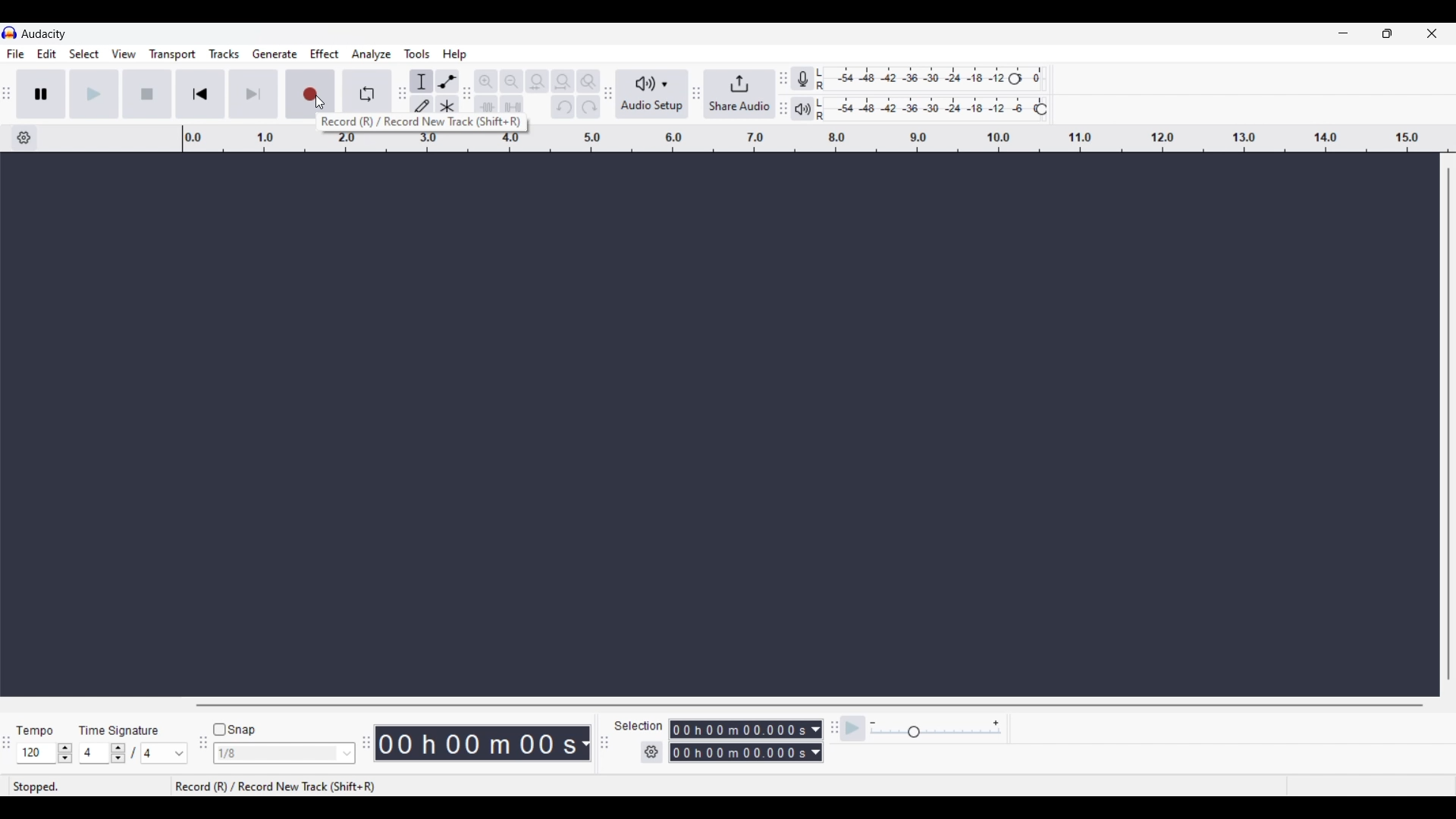  Describe the element at coordinates (588, 81) in the screenshot. I see `Zoom toggle` at that location.